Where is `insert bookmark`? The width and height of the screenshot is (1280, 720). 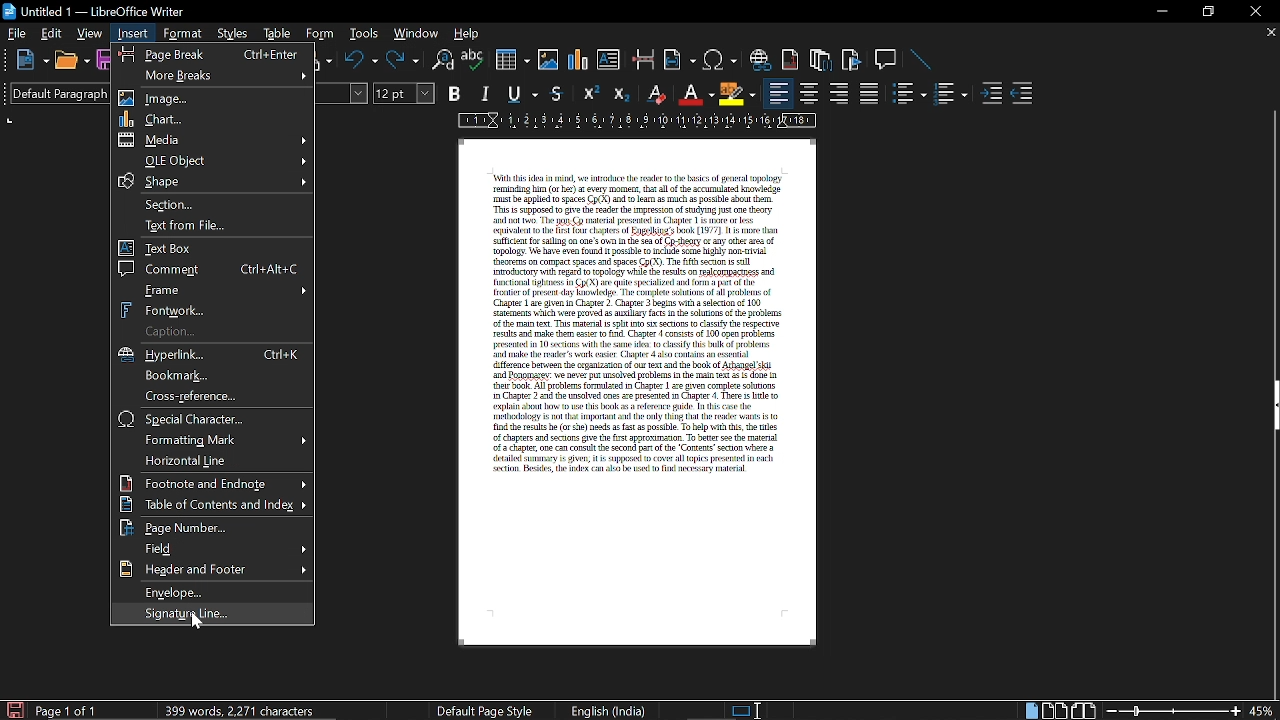
insert bookmark is located at coordinates (853, 59).